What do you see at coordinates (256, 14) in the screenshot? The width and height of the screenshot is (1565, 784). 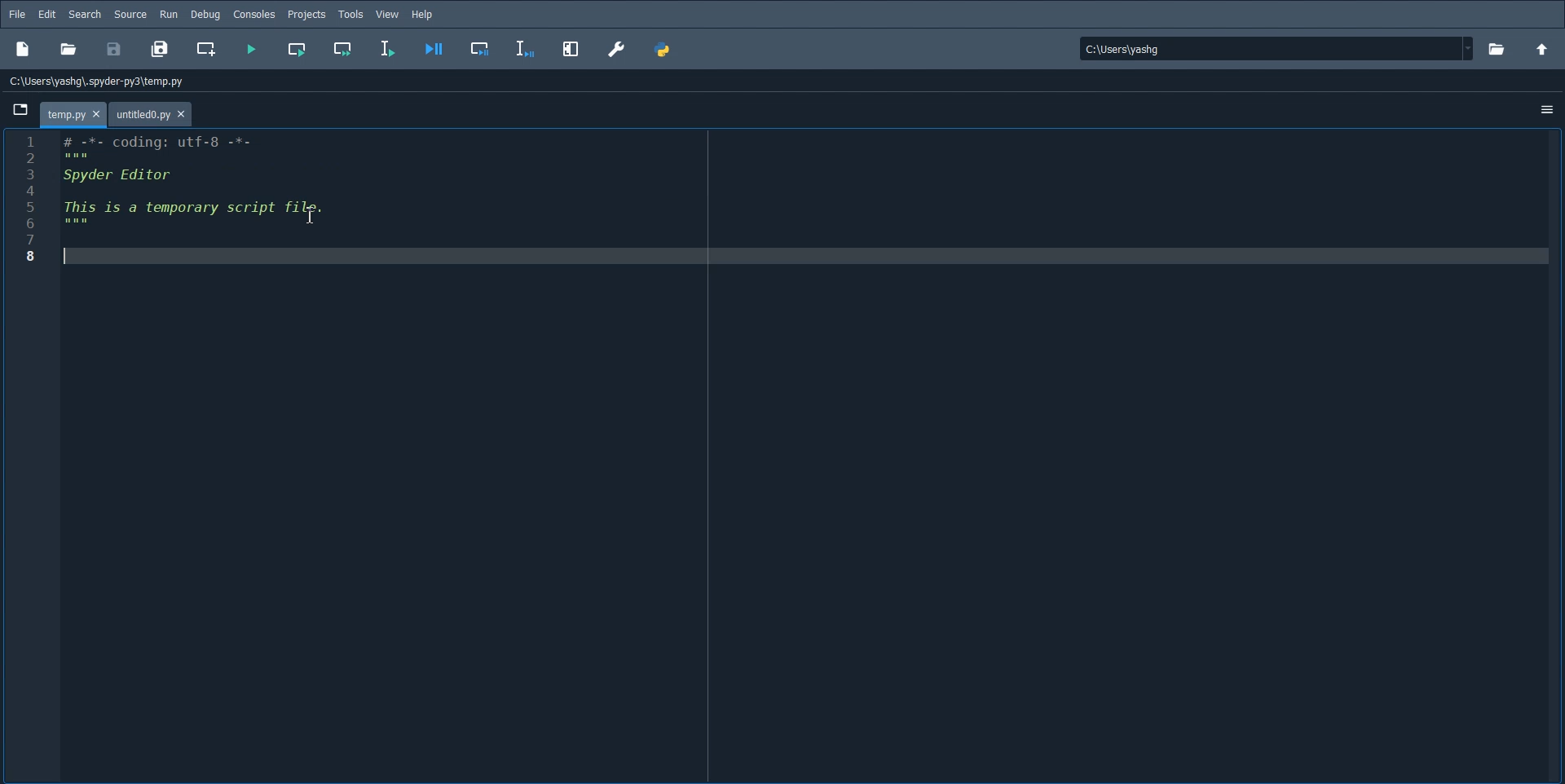 I see `Consoles` at bounding box center [256, 14].